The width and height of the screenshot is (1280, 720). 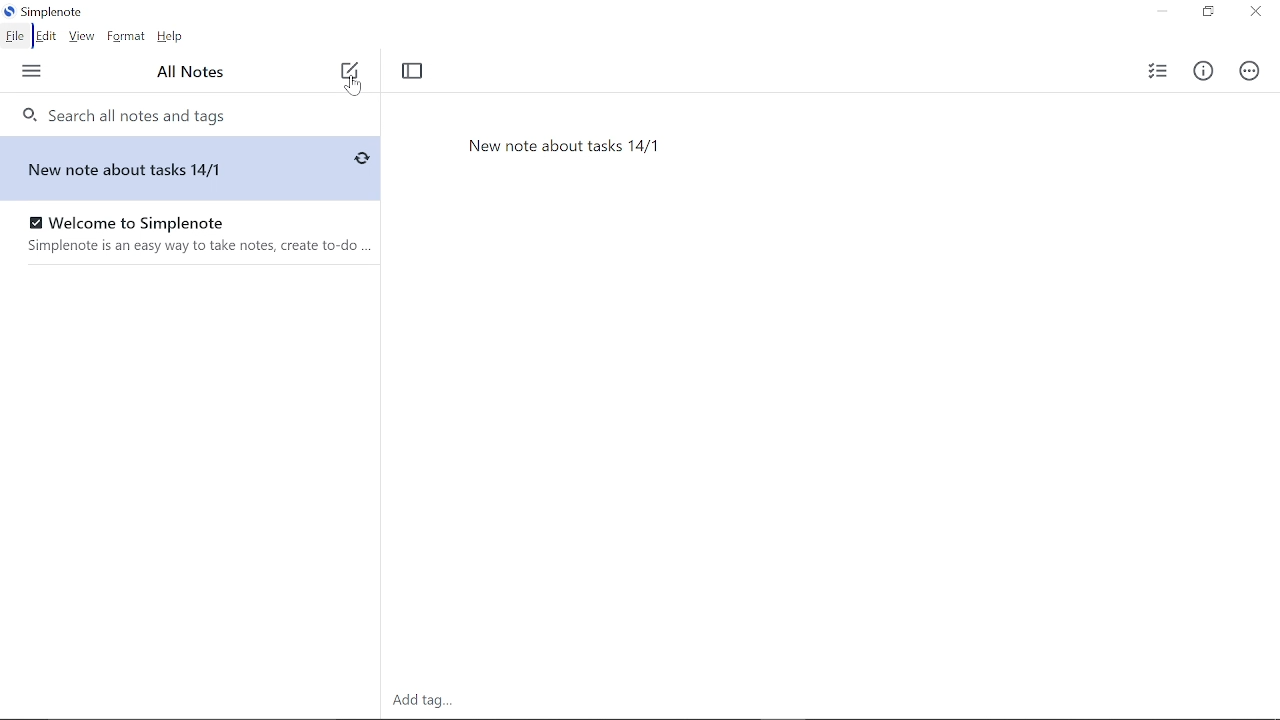 What do you see at coordinates (1154, 71) in the screenshot?
I see `Insert checklist` at bounding box center [1154, 71].